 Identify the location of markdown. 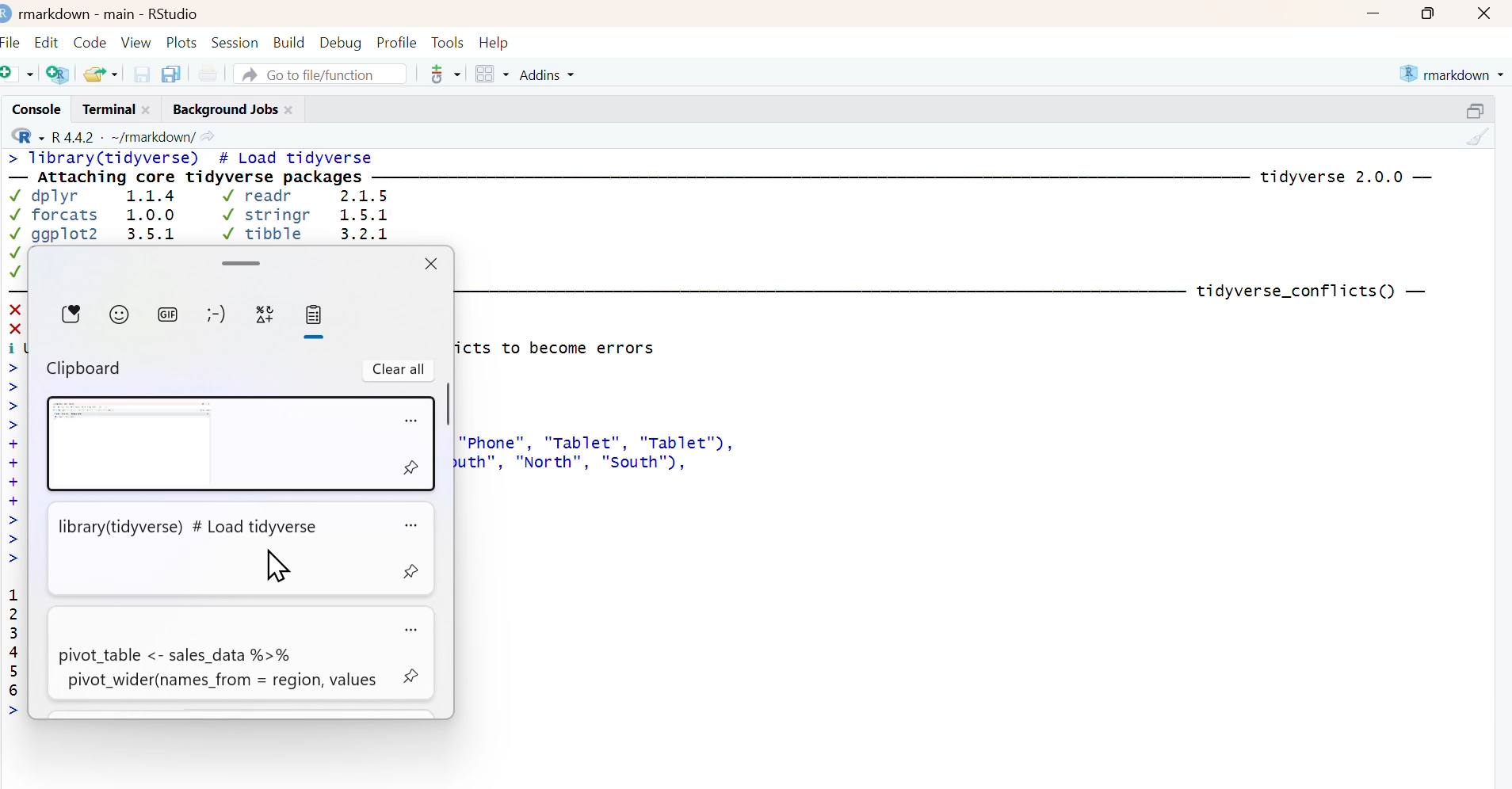
(1454, 72).